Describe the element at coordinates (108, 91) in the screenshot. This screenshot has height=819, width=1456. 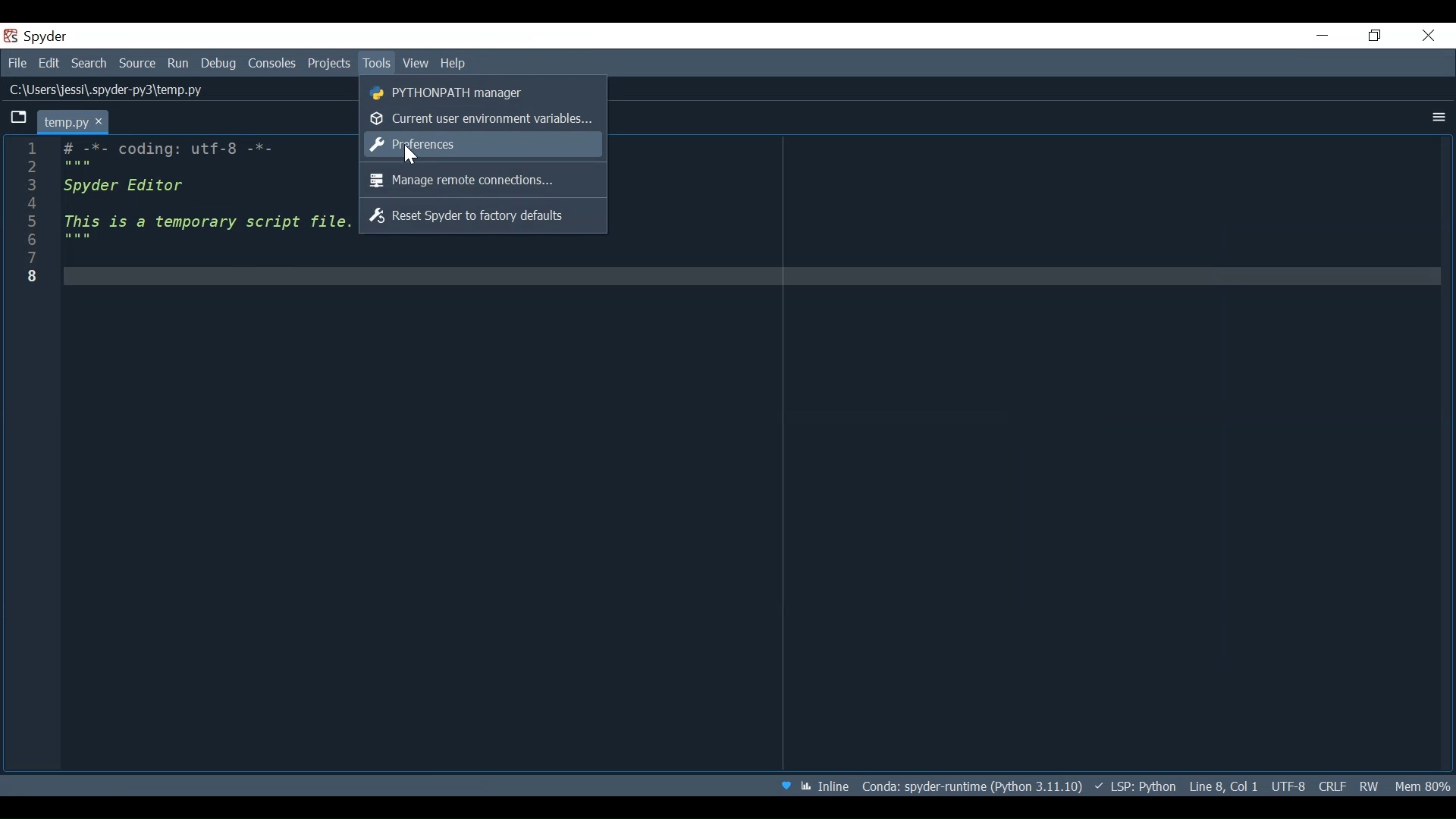
I see `File Path` at that location.